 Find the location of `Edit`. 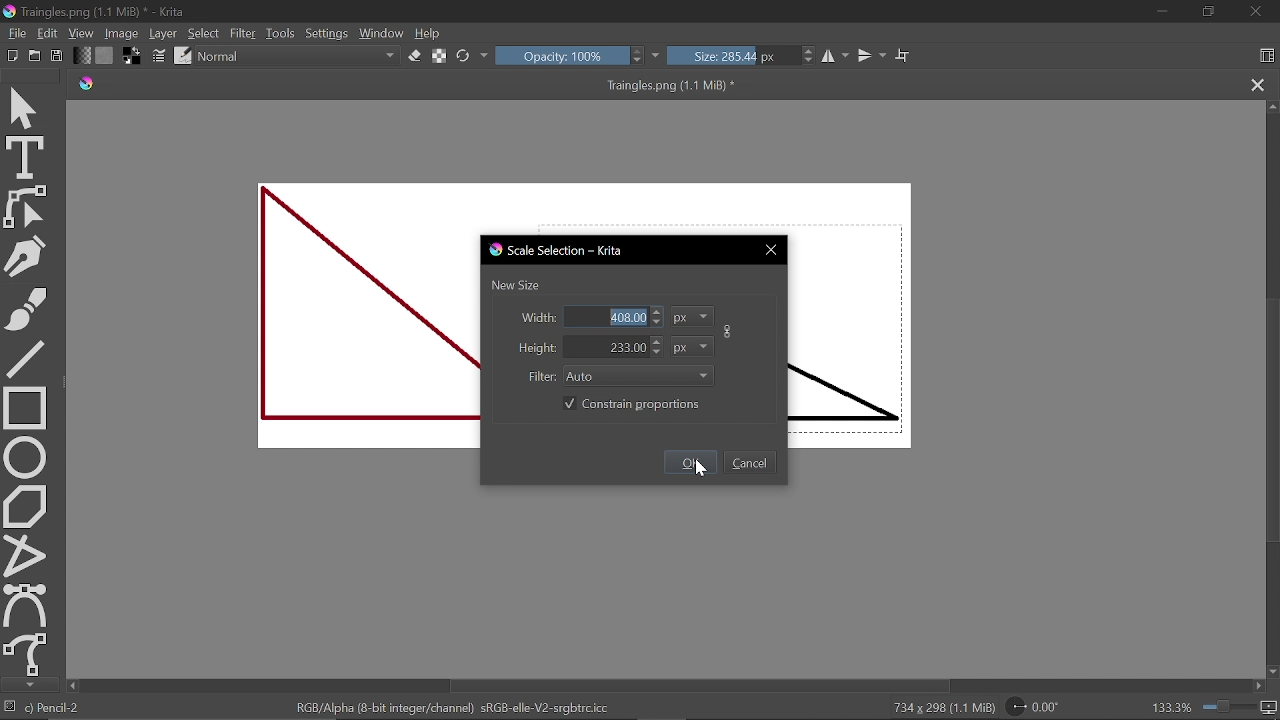

Edit is located at coordinates (47, 33).